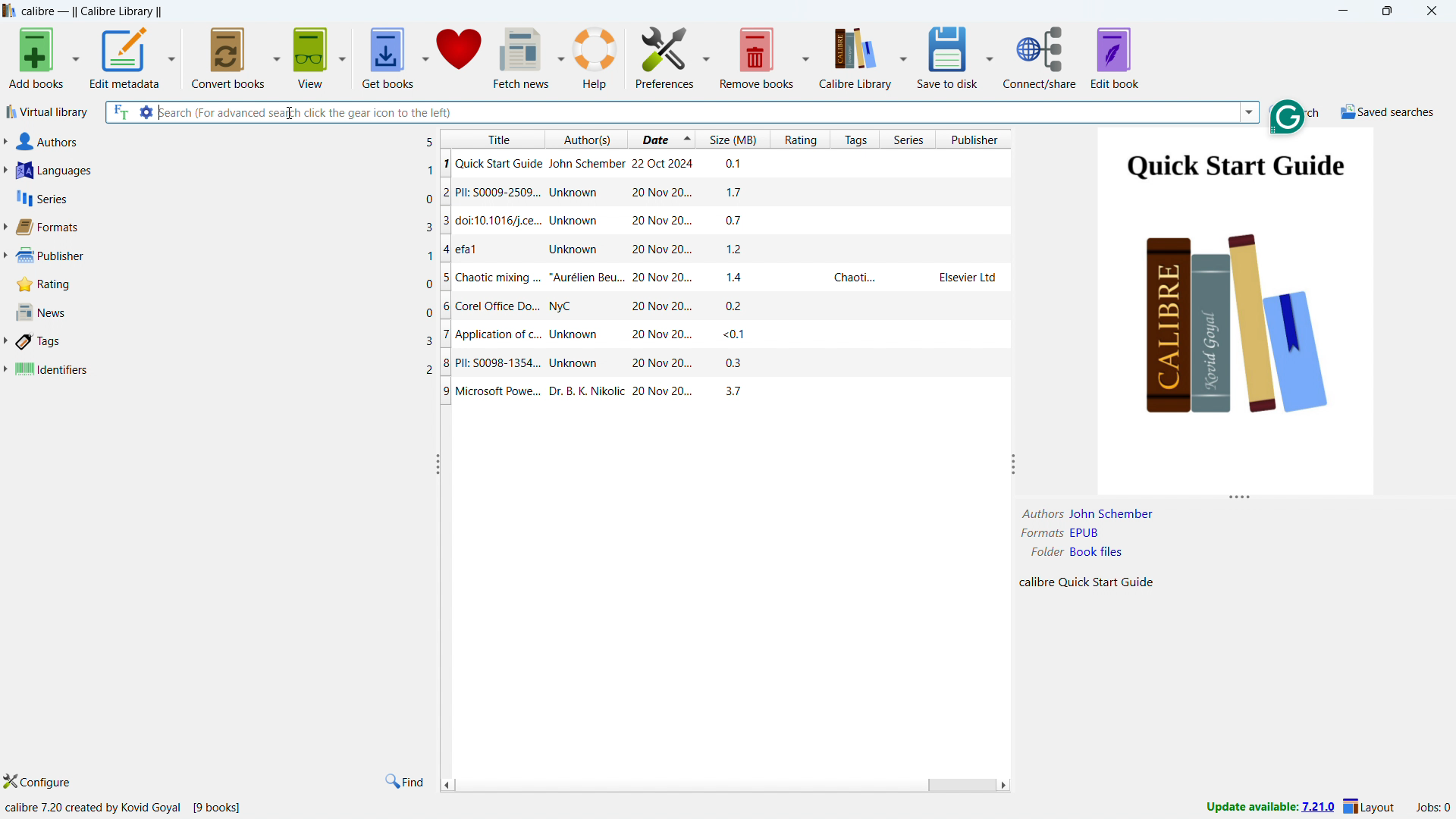 Image resolution: width=1456 pixels, height=819 pixels. I want to click on calibre library options, so click(902, 56).